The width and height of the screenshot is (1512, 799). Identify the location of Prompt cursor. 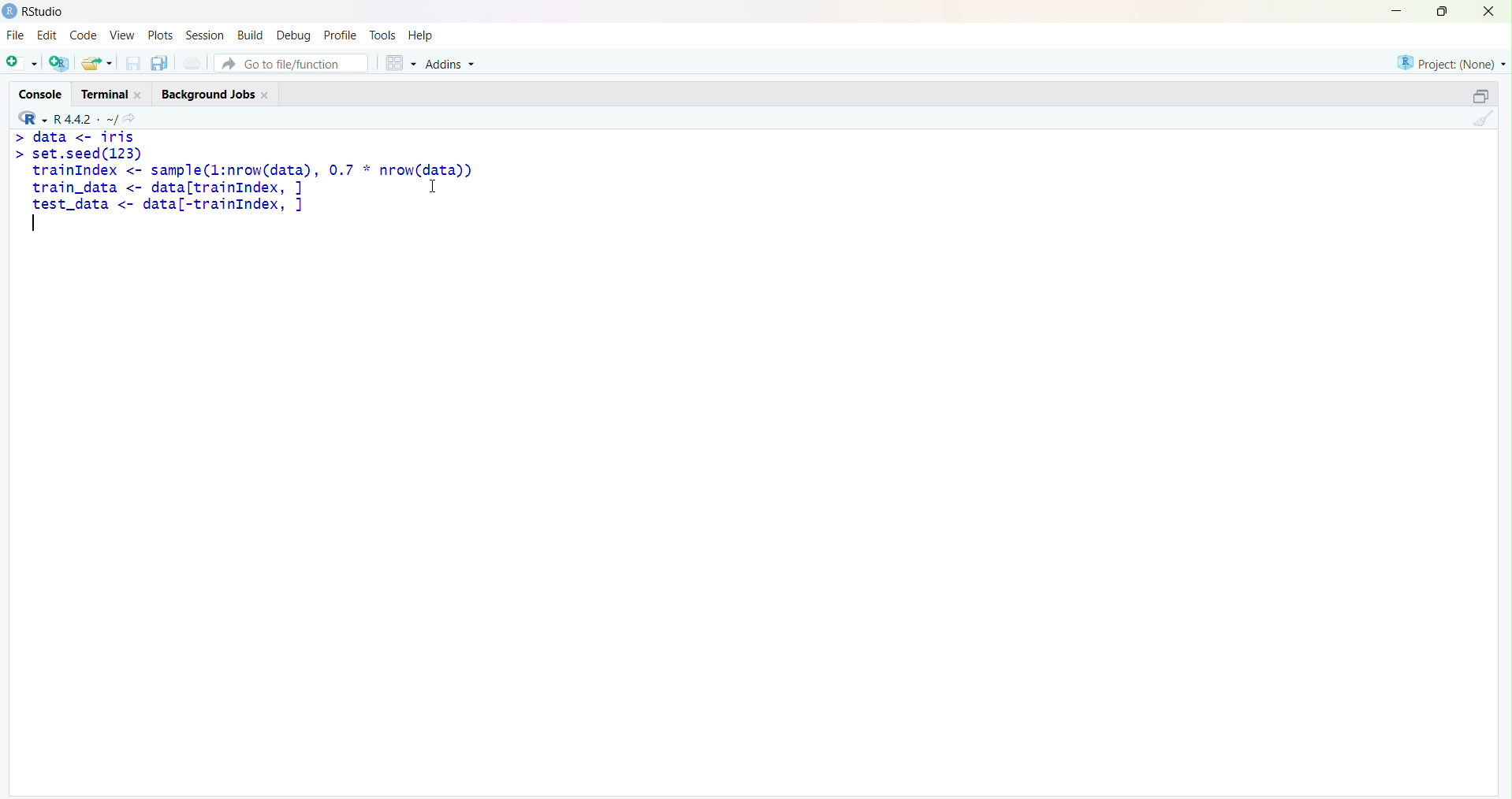
(18, 156).